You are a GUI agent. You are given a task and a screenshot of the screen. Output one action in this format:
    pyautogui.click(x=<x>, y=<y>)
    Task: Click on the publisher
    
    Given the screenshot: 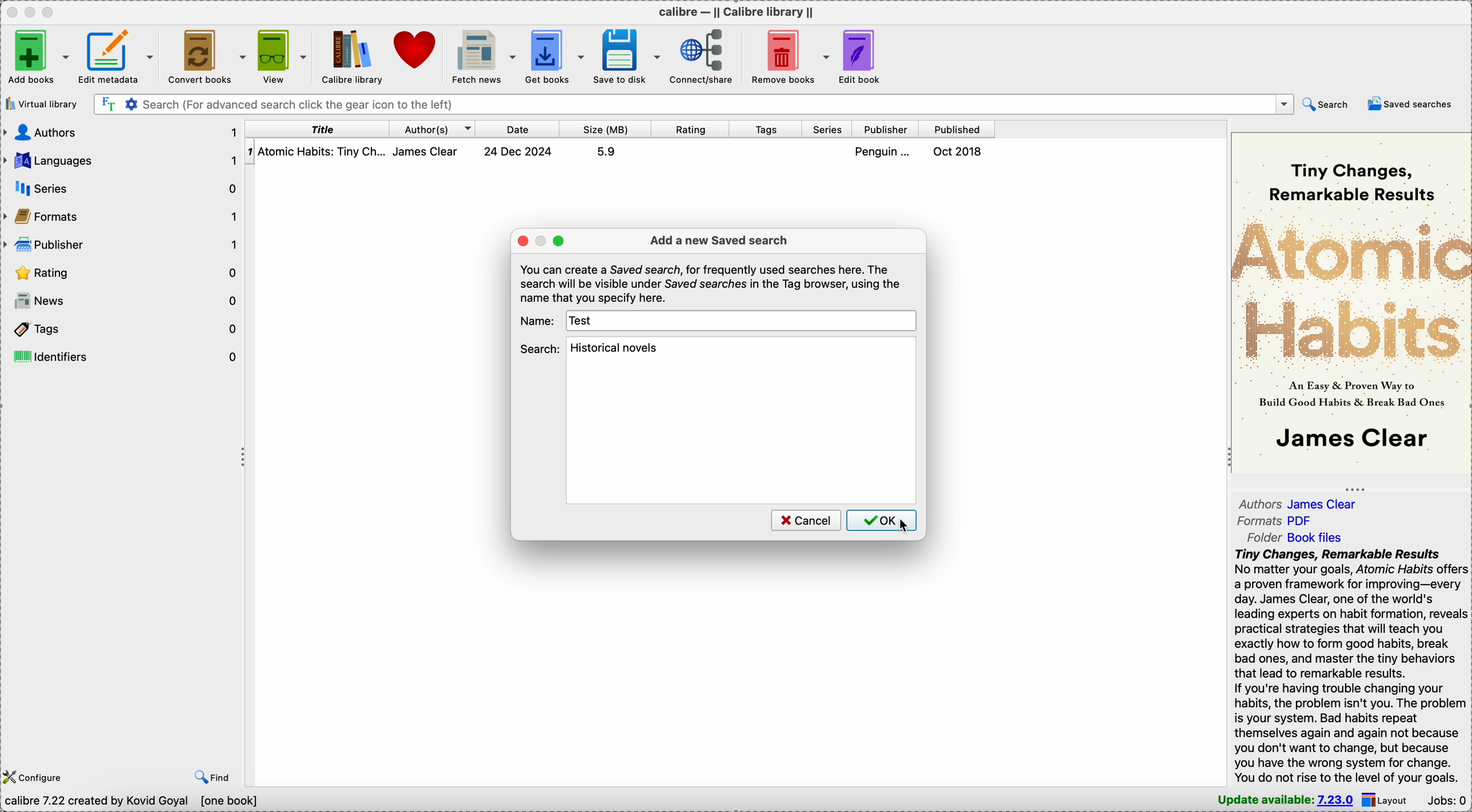 What is the action you would take?
    pyautogui.click(x=122, y=246)
    